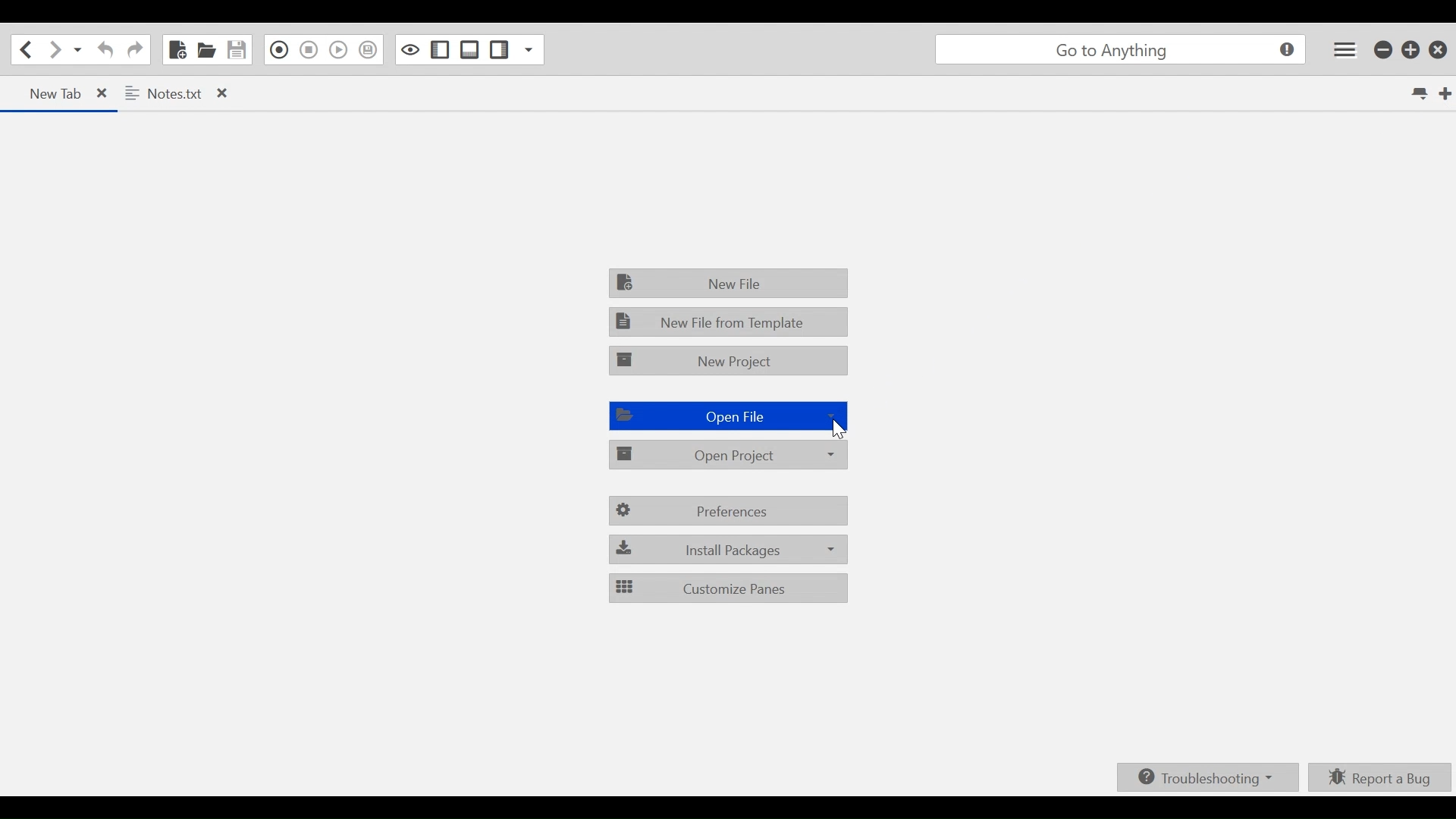 Image resolution: width=1456 pixels, height=819 pixels. What do you see at coordinates (207, 50) in the screenshot?
I see `Open` at bounding box center [207, 50].